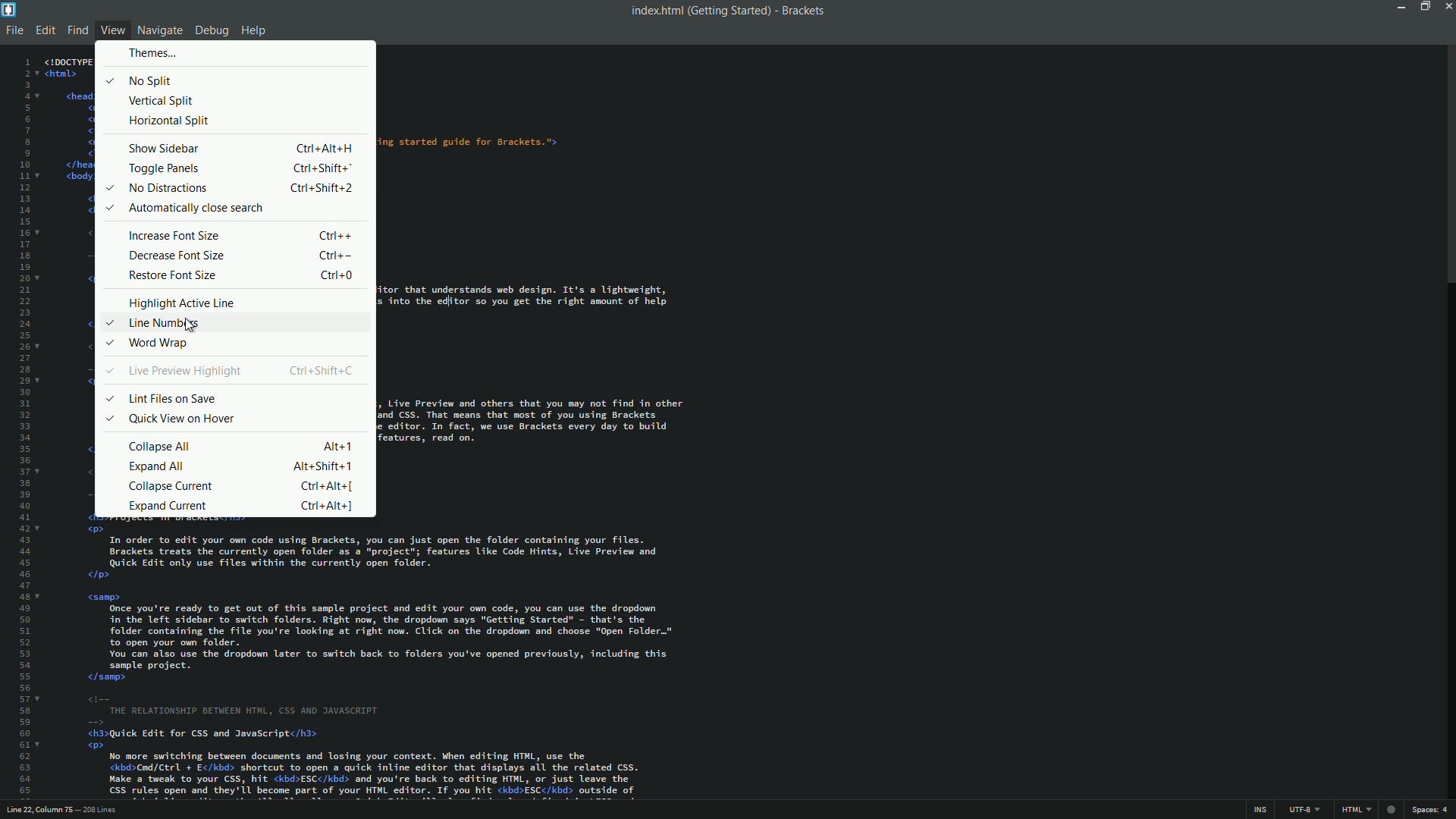 The height and width of the screenshot is (819, 1456). I want to click on Collapse All Alt+1, so click(242, 446).